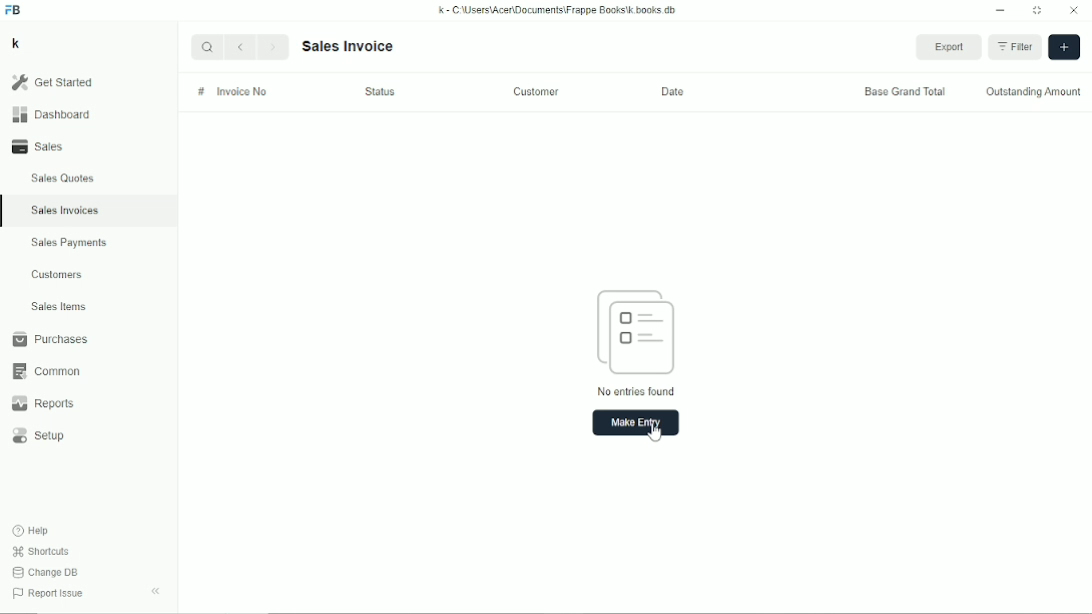  Describe the element at coordinates (45, 573) in the screenshot. I see `Change DB` at that location.